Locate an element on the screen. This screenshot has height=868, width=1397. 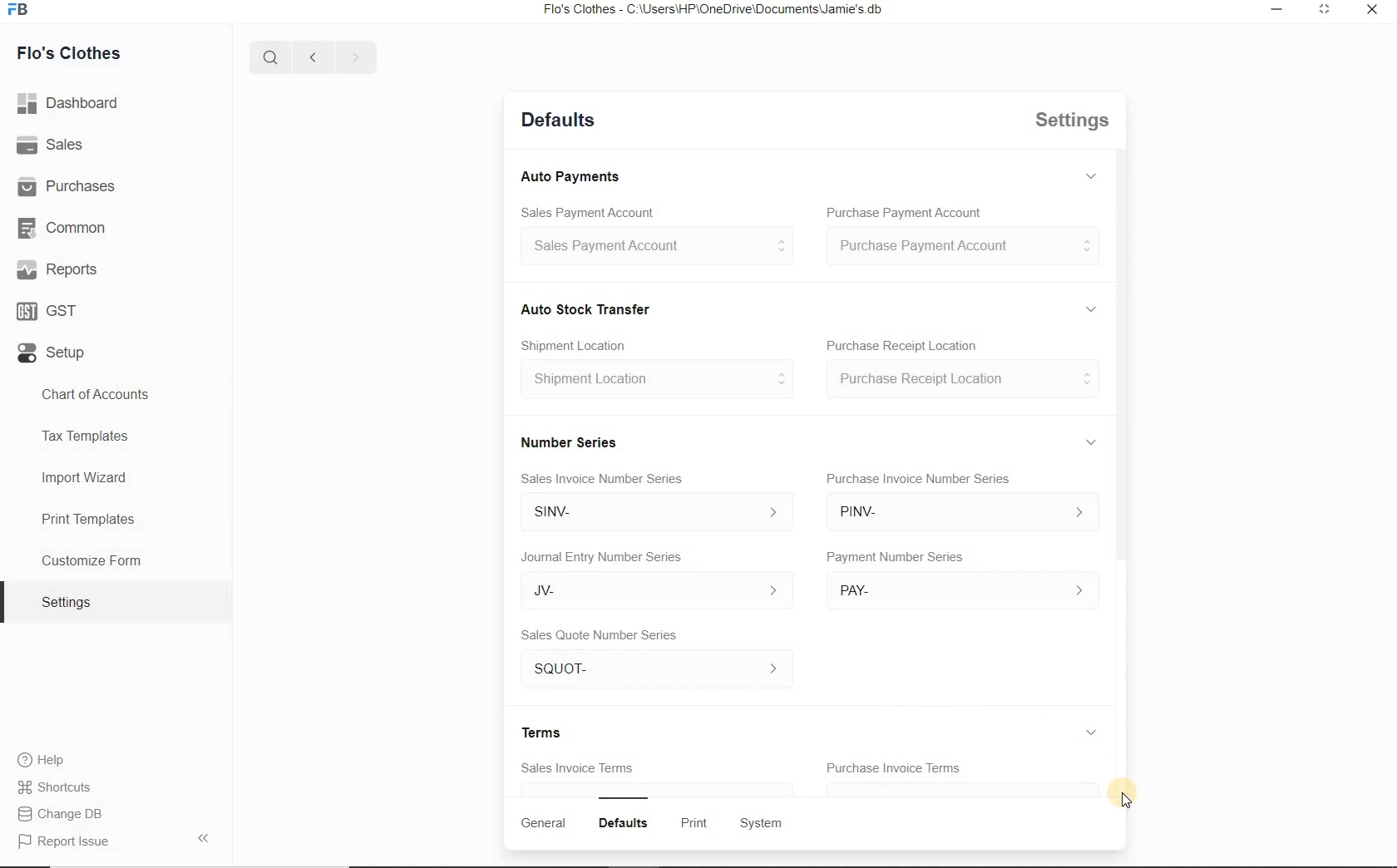
Flo's Clothes - C:\Users\HP'\OneDrive\Documents\Jamie's.db is located at coordinates (711, 9).